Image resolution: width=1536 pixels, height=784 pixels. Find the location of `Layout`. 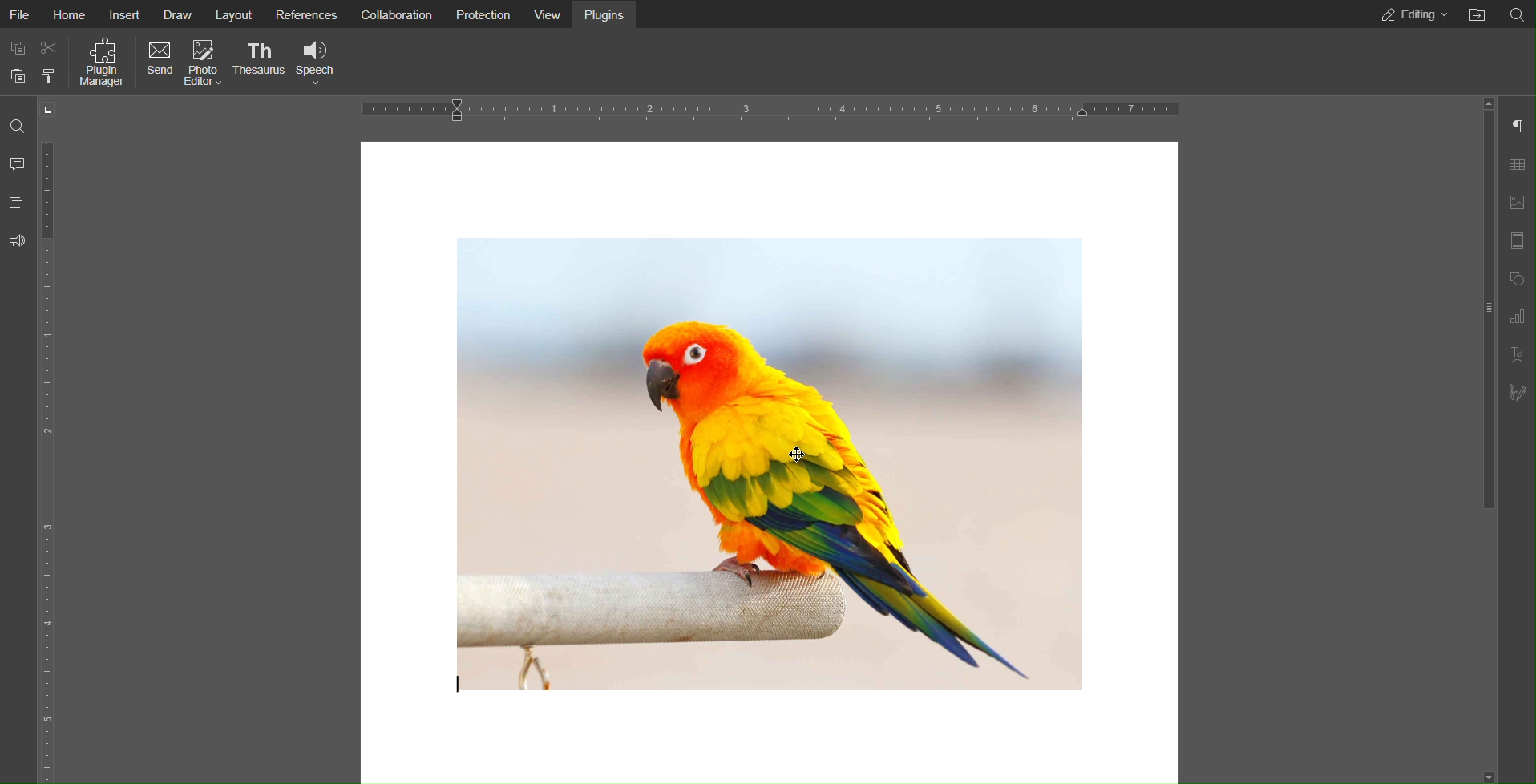

Layout is located at coordinates (234, 14).